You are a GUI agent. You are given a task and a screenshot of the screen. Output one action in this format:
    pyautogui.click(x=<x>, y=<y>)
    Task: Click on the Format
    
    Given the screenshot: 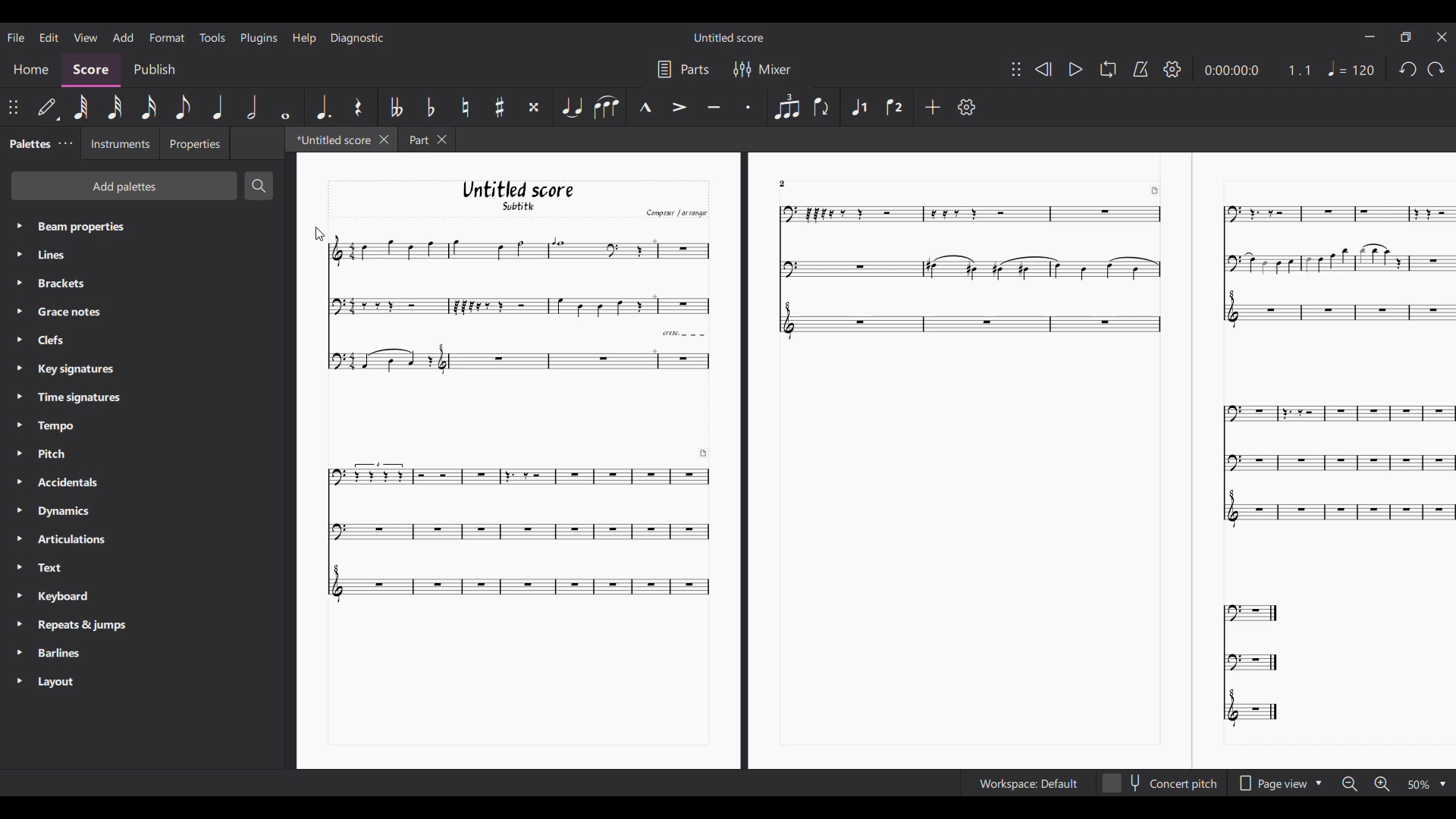 What is the action you would take?
    pyautogui.click(x=168, y=37)
    